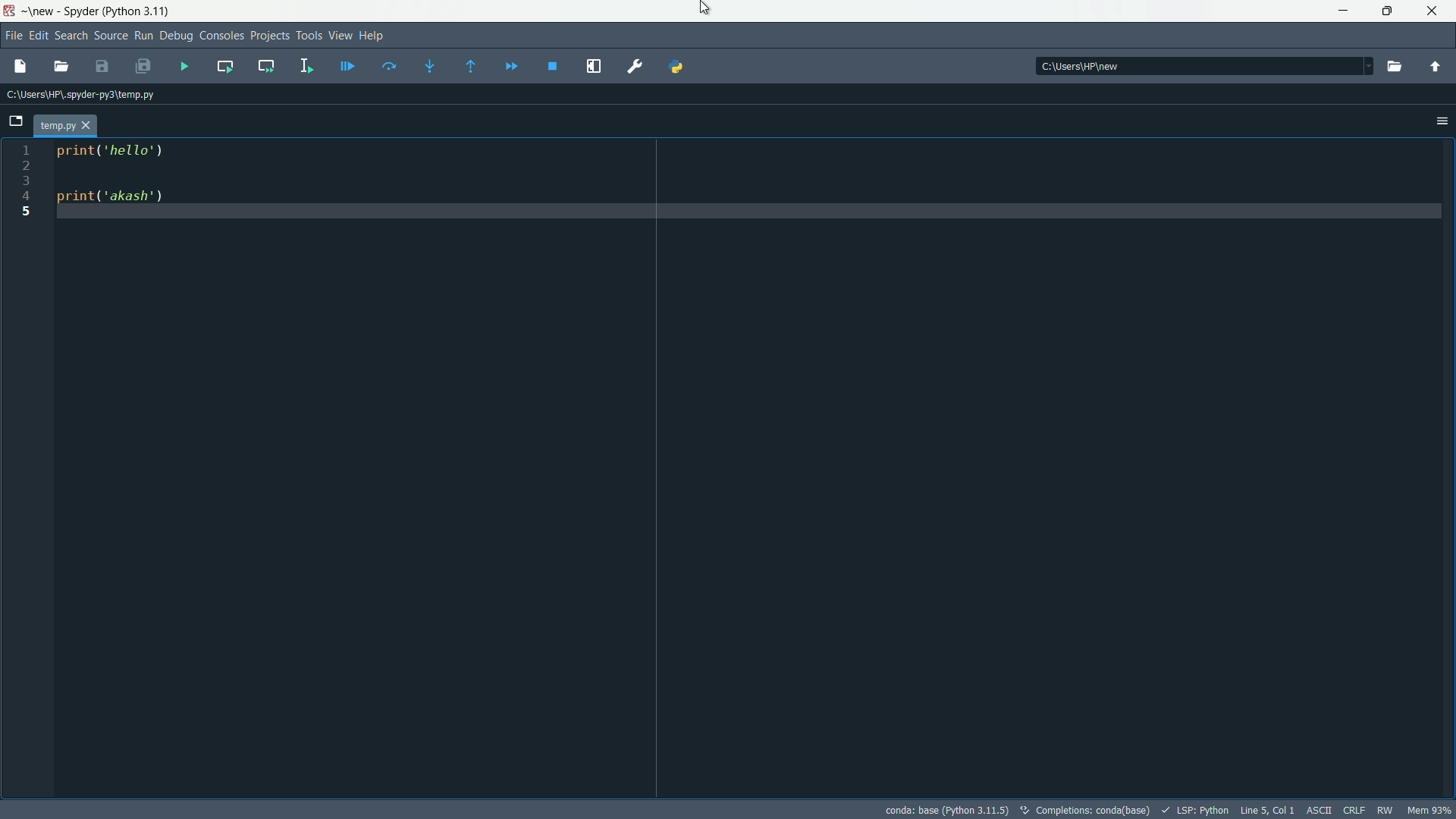 The height and width of the screenshot is (819, 1456). Describe the element at coordinates (17, 121) in the screenshot. I see `browse tabs` at that location.